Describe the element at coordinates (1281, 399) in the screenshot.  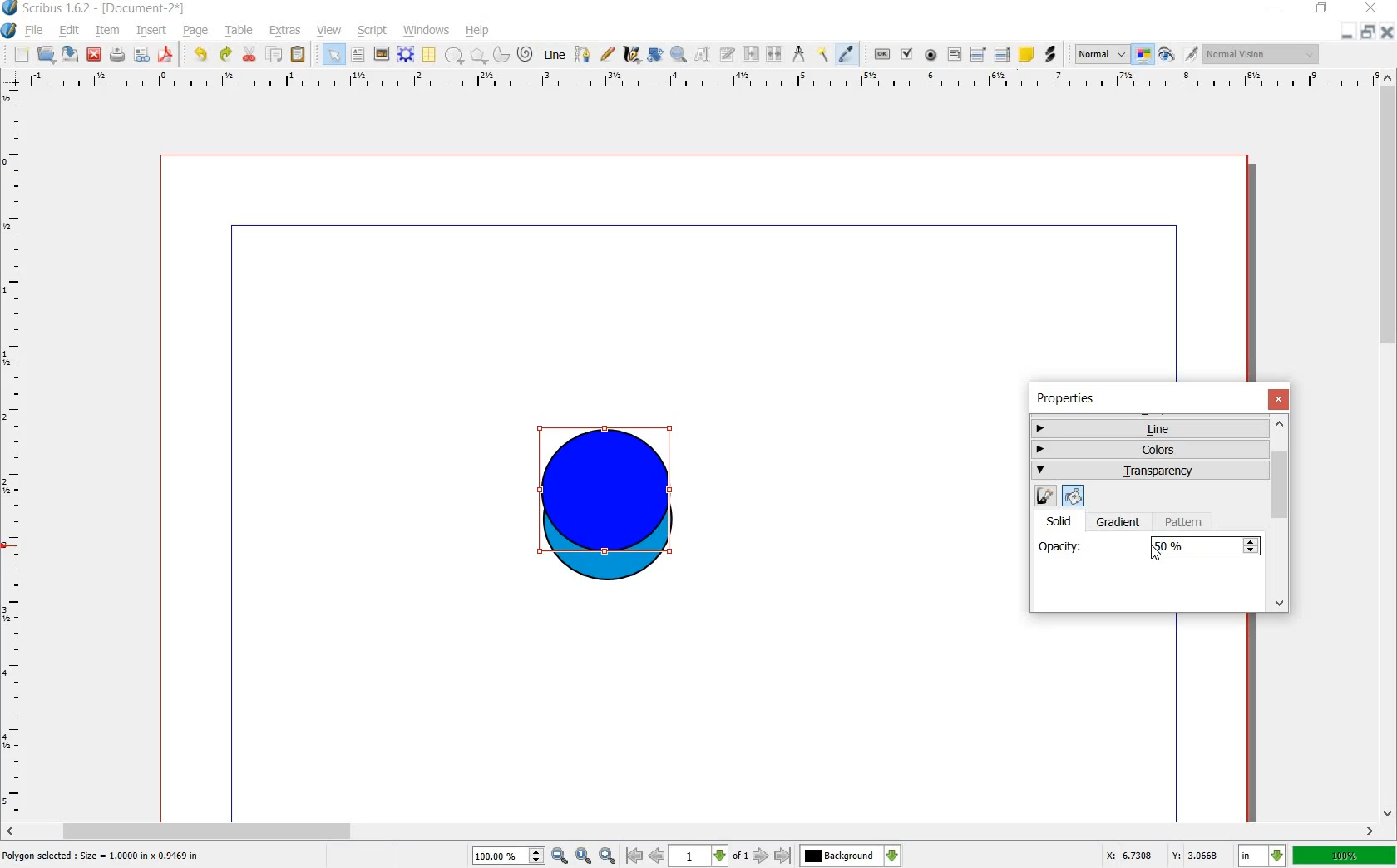
I see `close` at that location.